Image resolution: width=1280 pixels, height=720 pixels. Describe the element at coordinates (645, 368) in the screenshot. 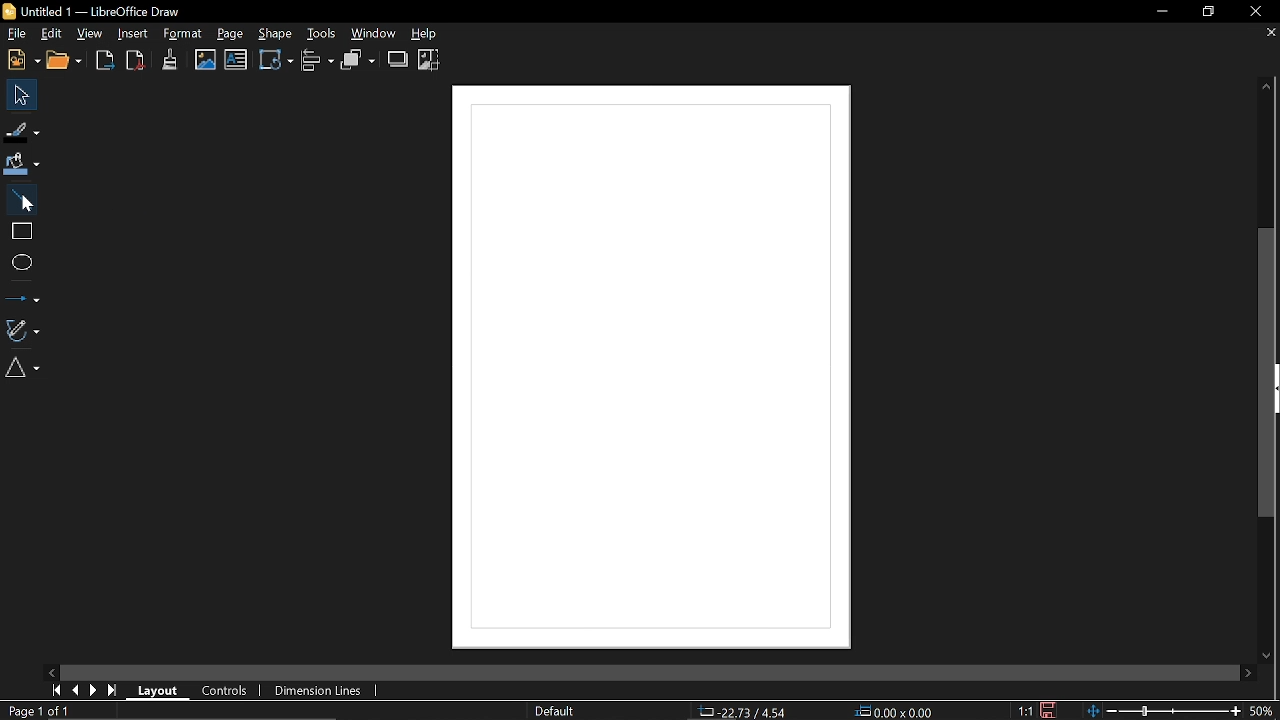

I see `Canvas` at that location.